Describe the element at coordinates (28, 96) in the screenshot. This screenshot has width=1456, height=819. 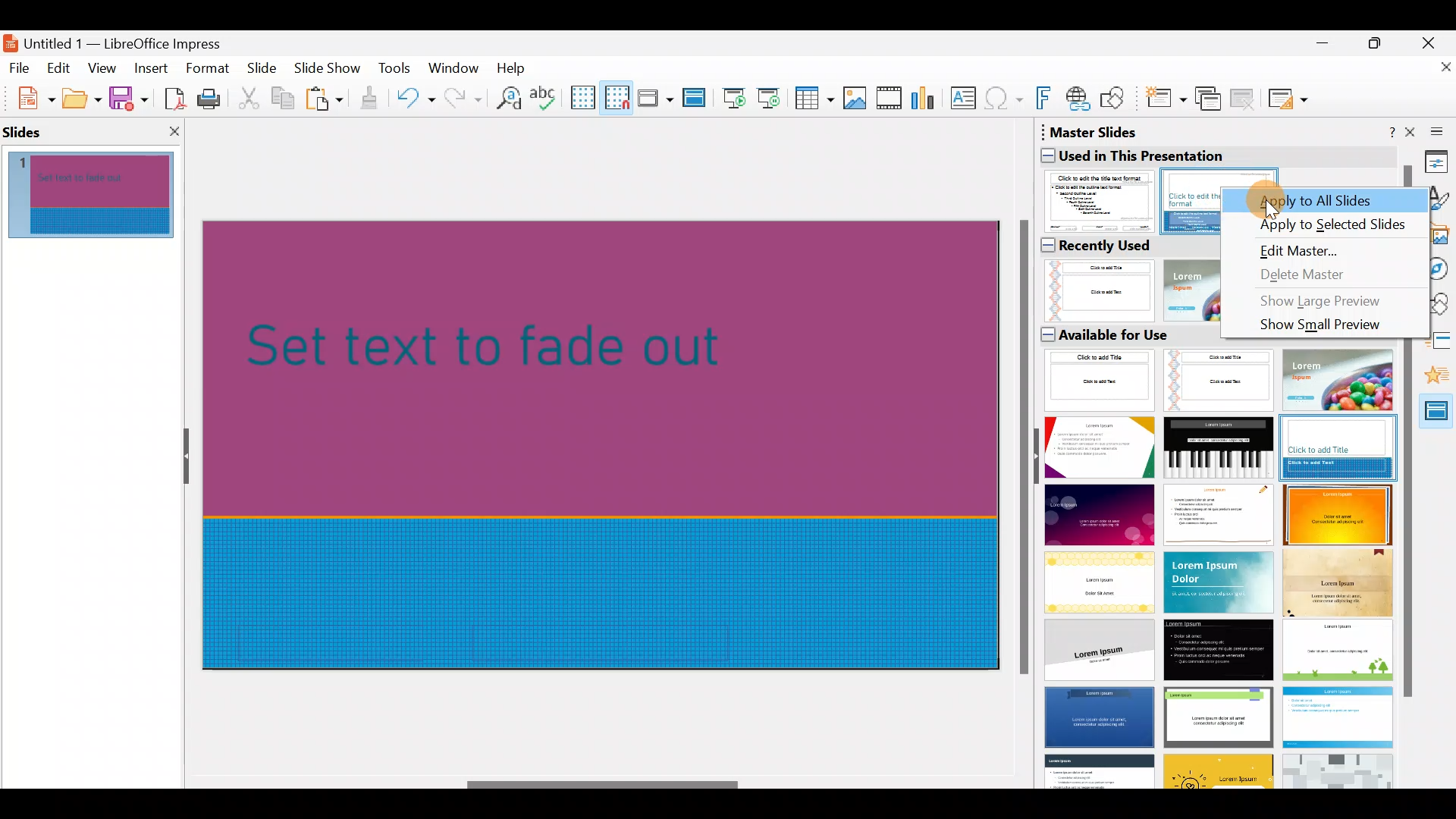
I see `New` at that location.